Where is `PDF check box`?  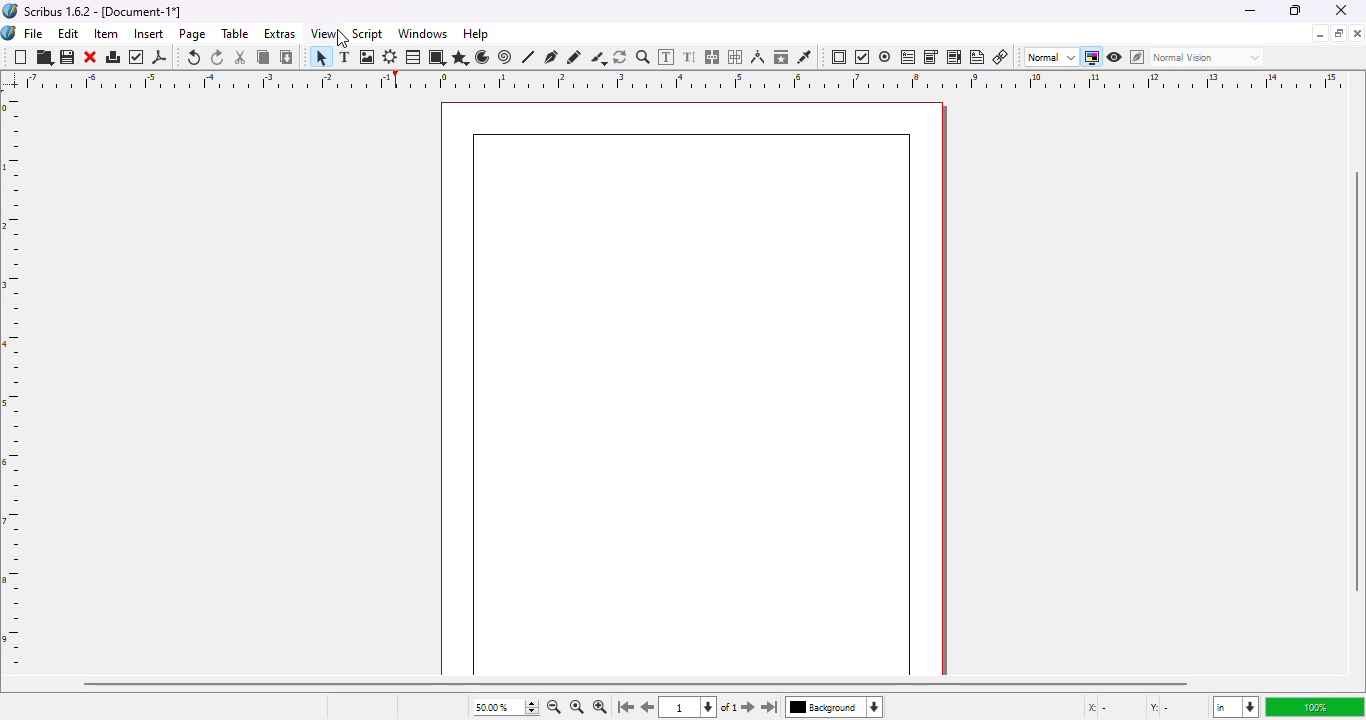 PDF check box is located at coordinates (862, 58).